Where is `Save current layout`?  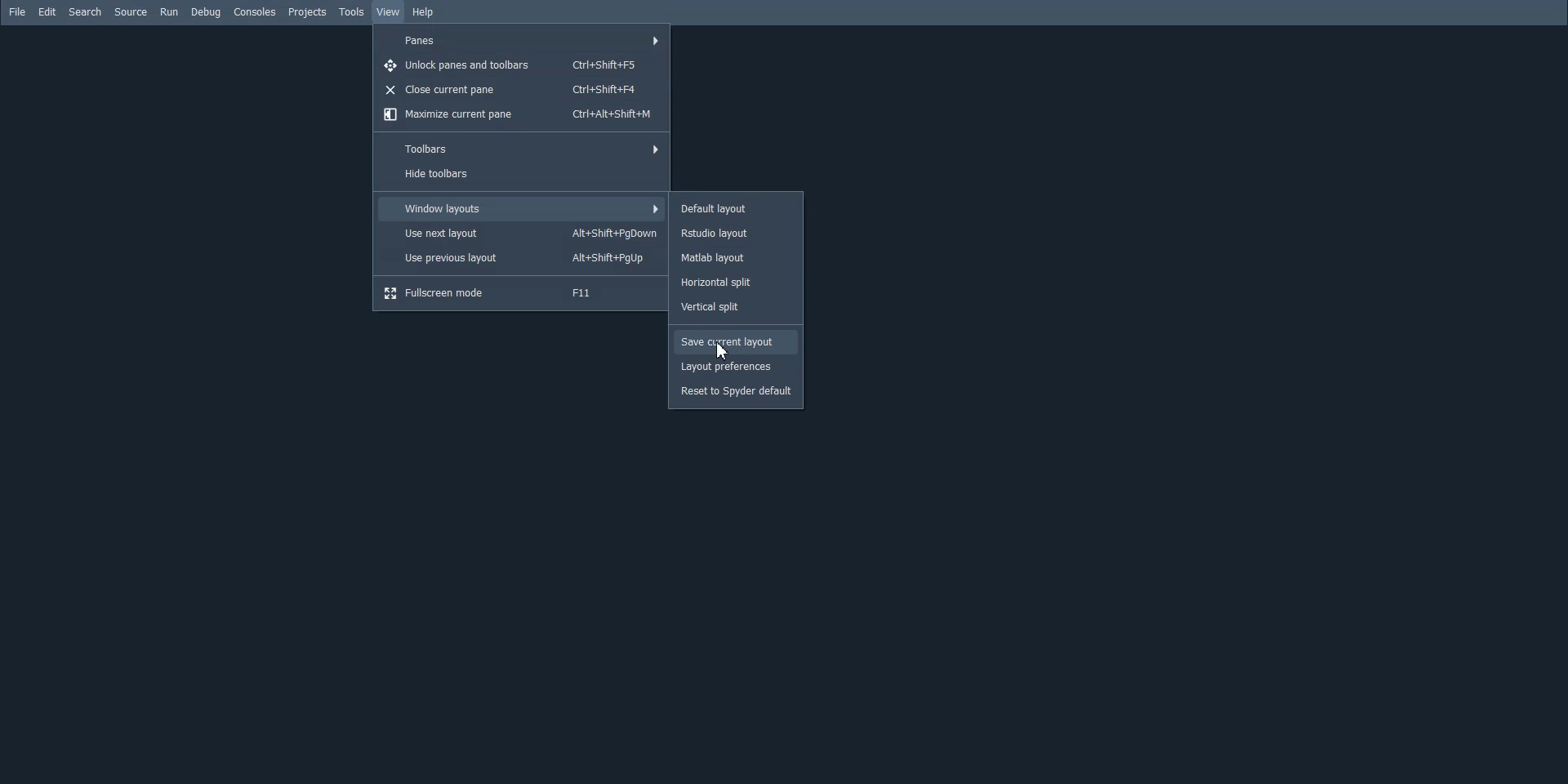
Save current layout is located at coordinates (736, 342).